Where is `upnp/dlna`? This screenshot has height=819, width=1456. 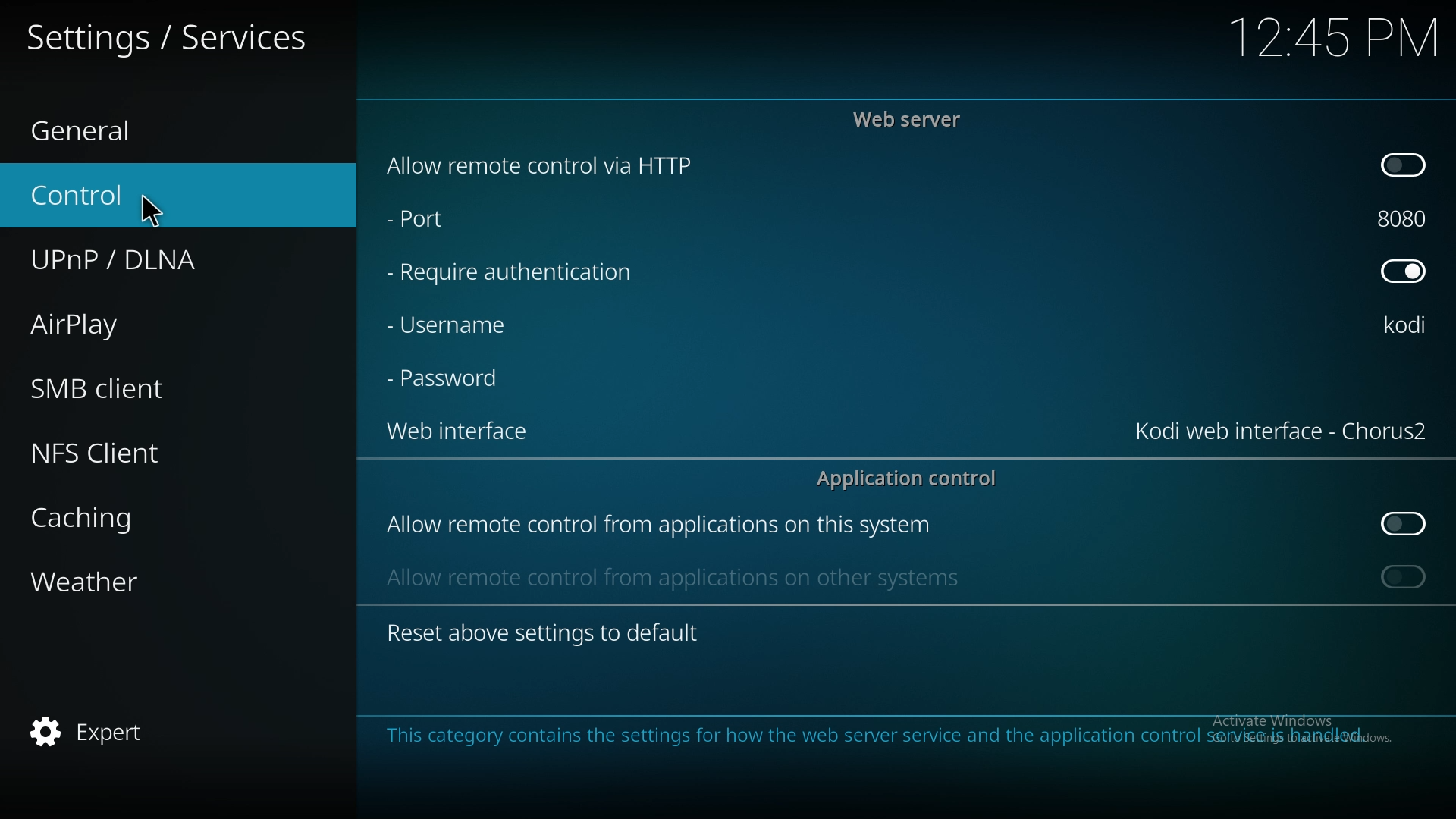
upnp/dlna is located at coordinates (156, 254).